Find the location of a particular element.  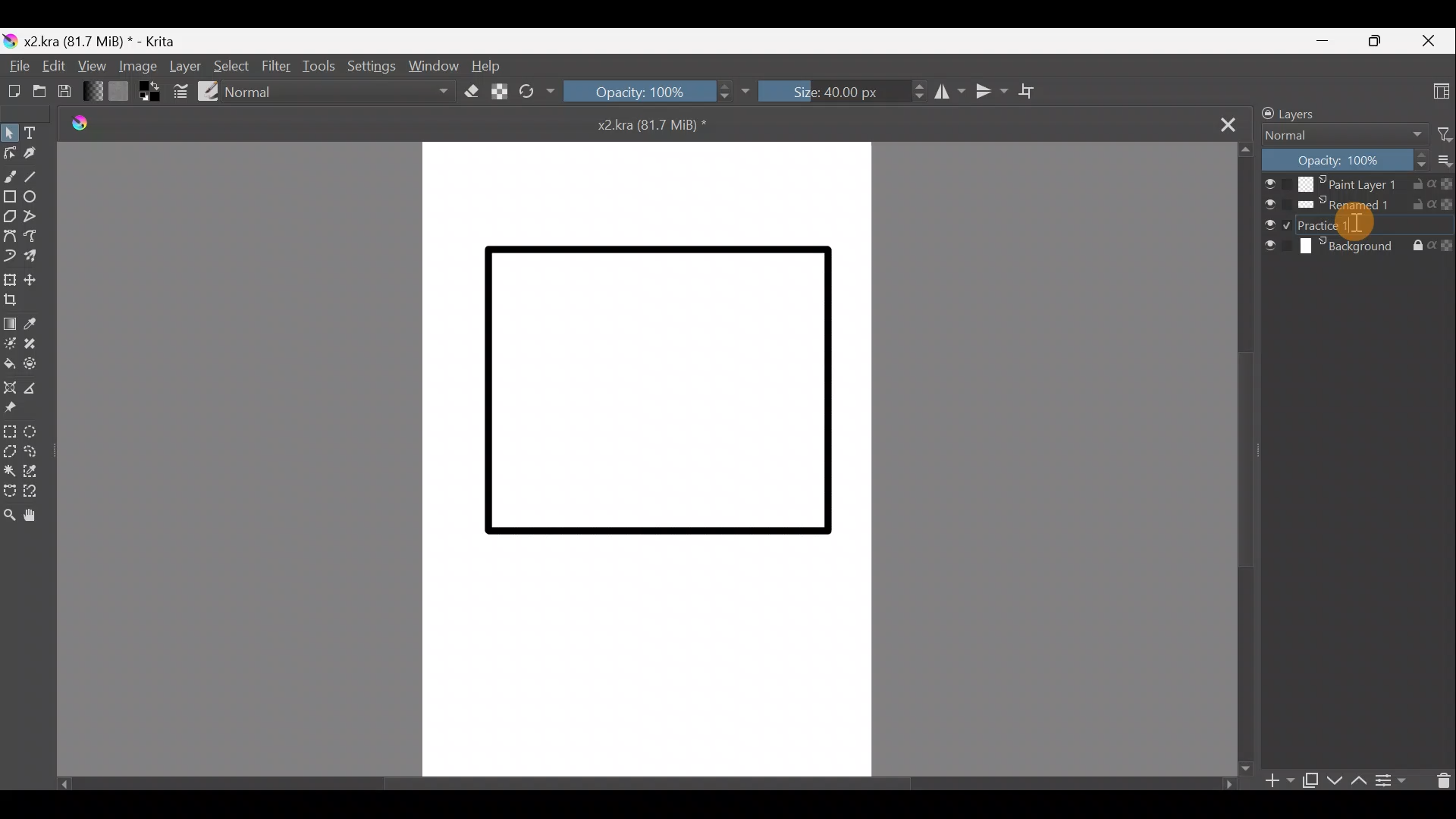

Open an existing document is located at coordinates (41, 90).